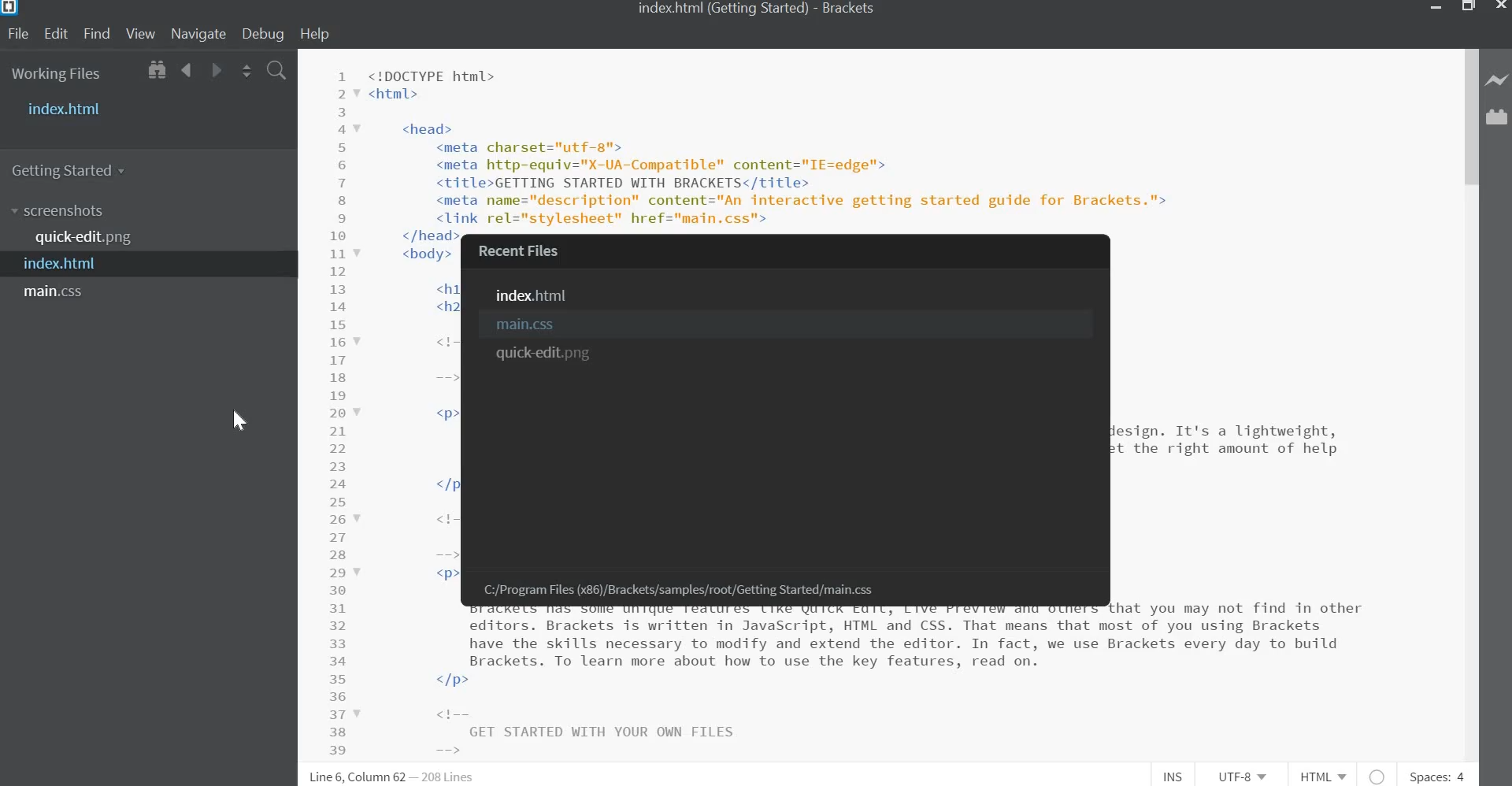  What do you see at coordinates (265, 34) in the screenshot?
I see `Debug` at bounding box center [265, 34].